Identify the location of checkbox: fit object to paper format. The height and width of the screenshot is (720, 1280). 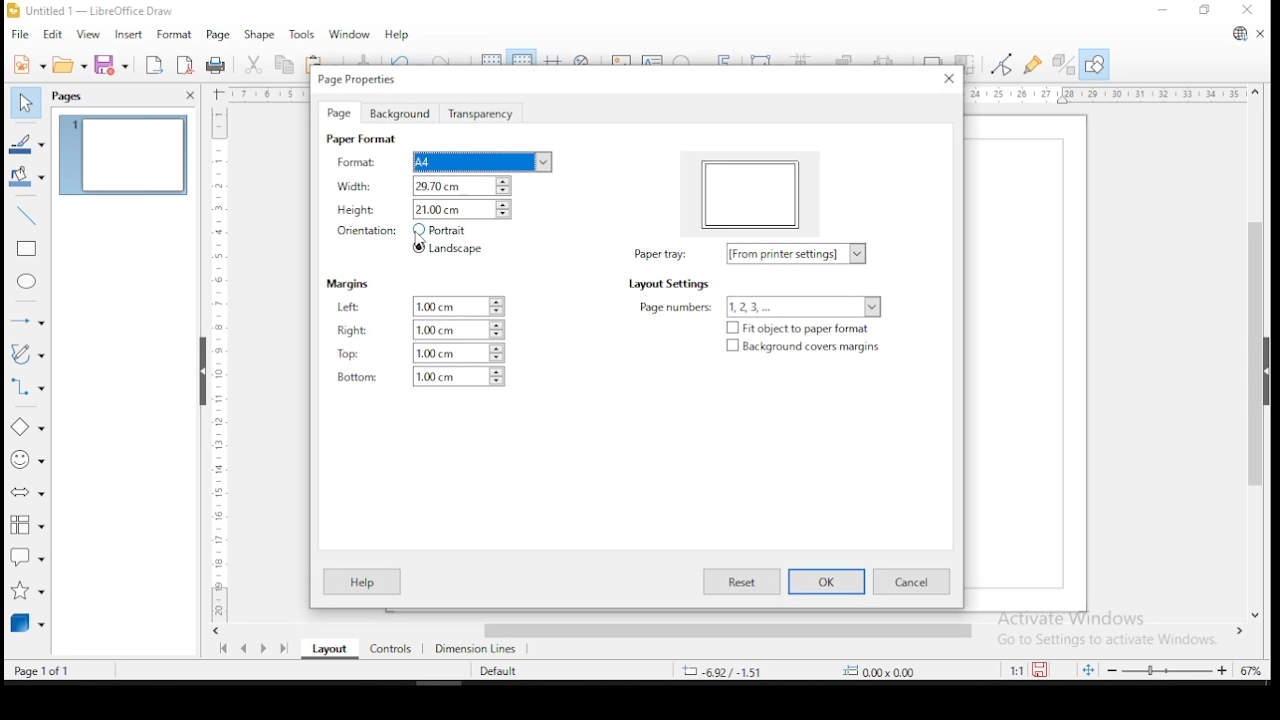
(803, 327).